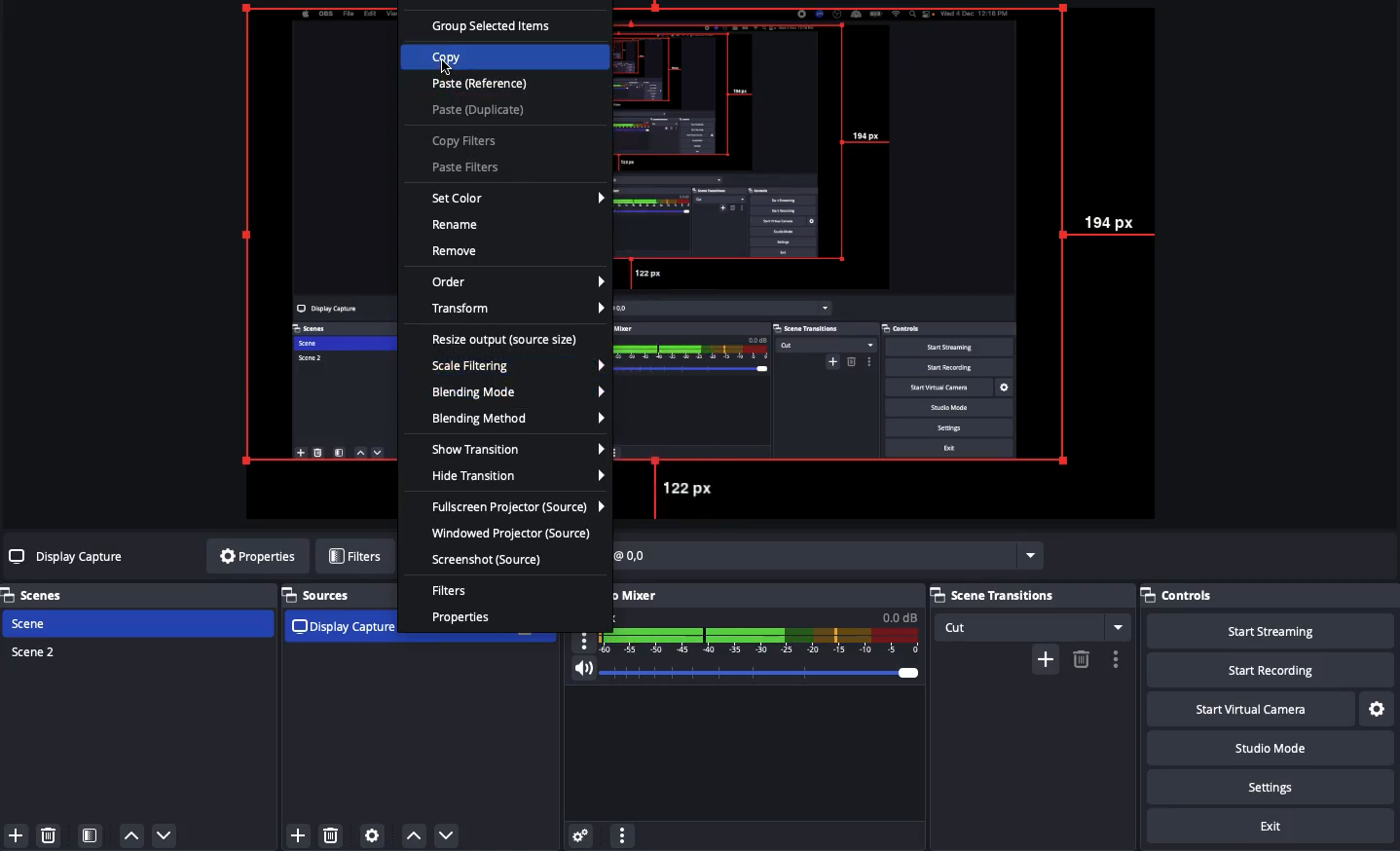 This screenshot has height=851, width=1400. I want to click on delete, so click(1081, 658).